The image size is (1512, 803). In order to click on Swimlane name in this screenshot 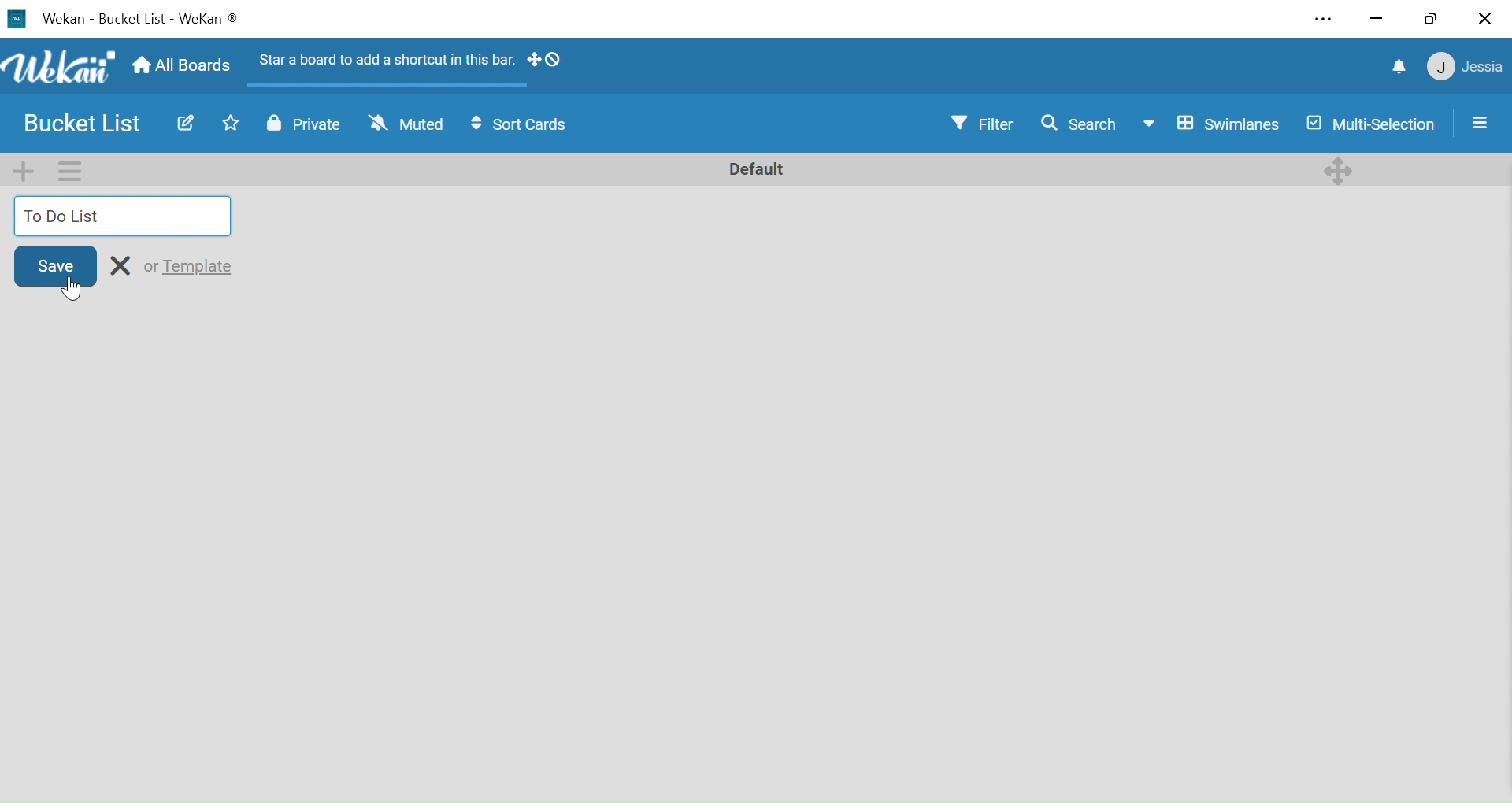, I will do `click(754, 168)`.